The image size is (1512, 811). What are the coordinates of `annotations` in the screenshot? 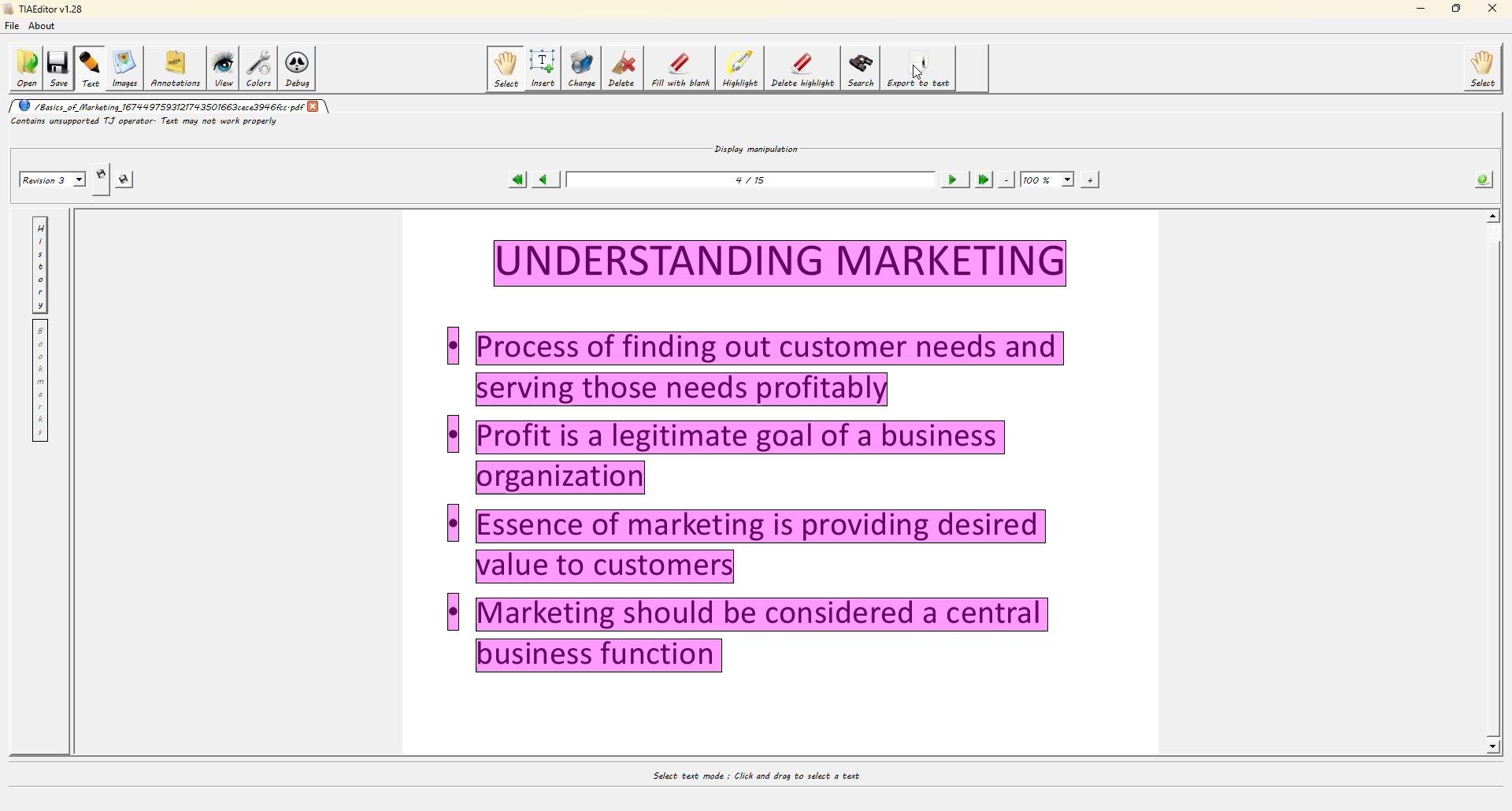 It's located at (176, 70).